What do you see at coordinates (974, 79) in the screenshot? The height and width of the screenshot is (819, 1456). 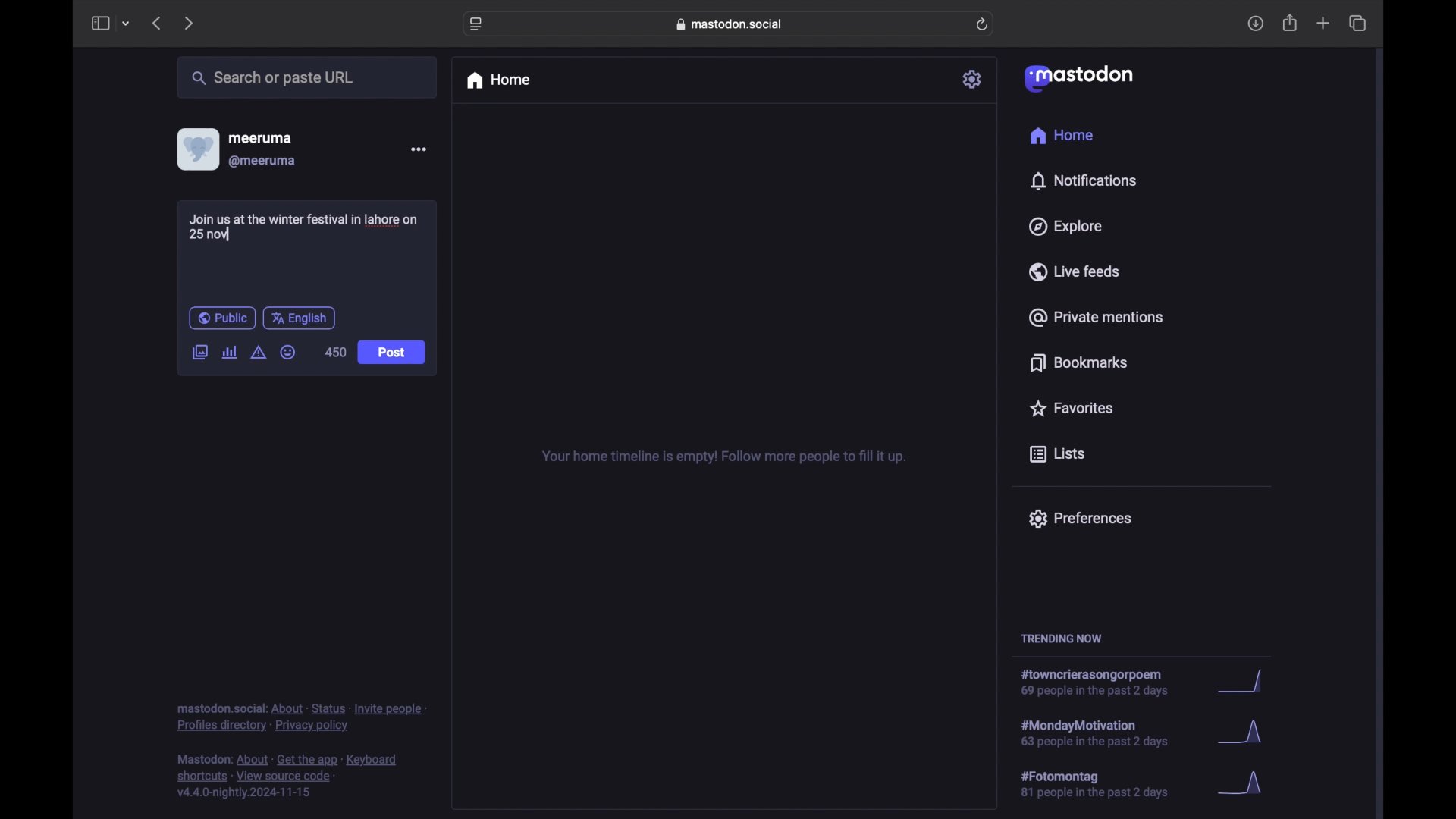 I see `settings` at bounding box center [974, 79].